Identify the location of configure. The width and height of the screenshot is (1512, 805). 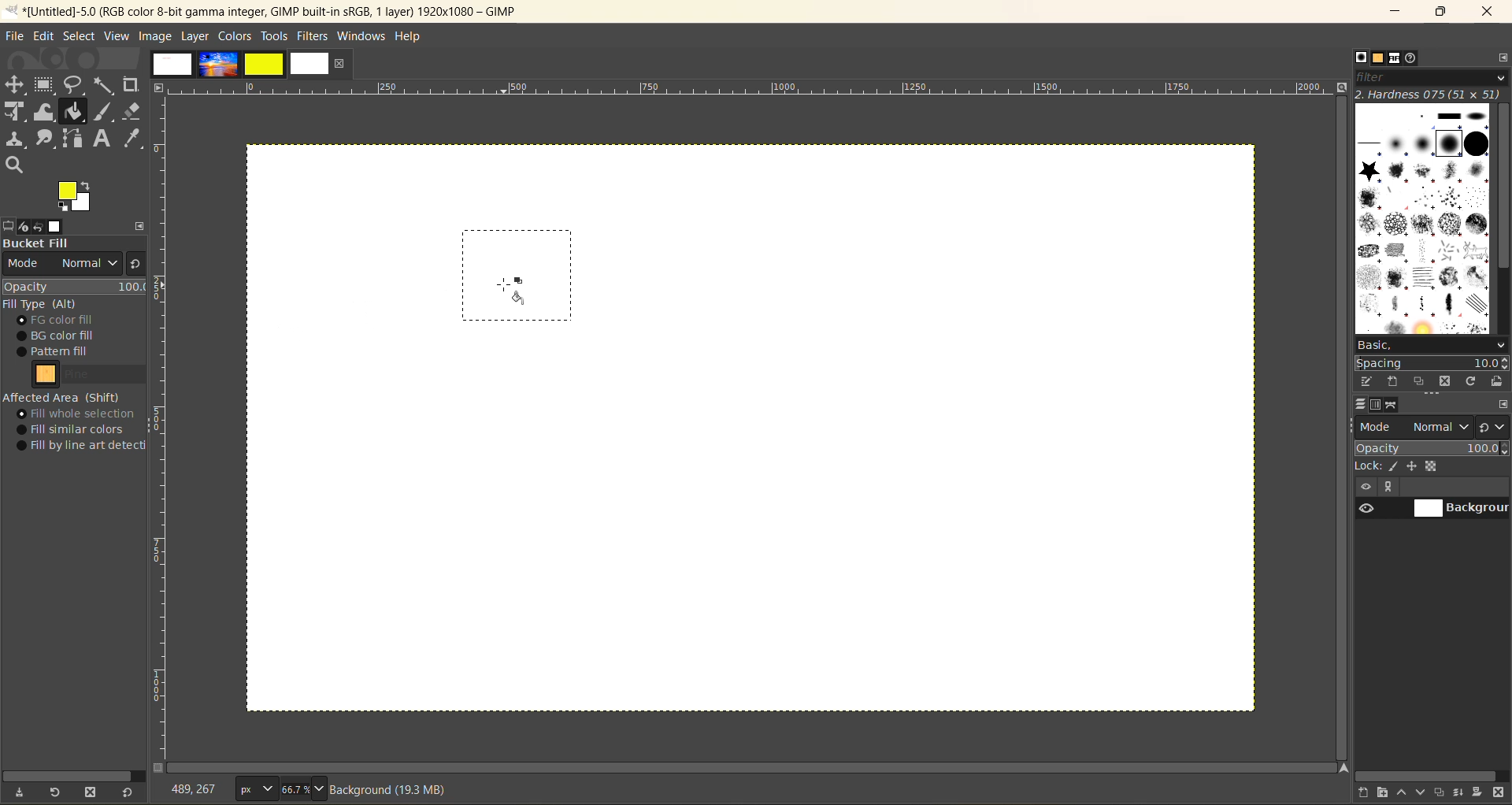
(1502, 406).